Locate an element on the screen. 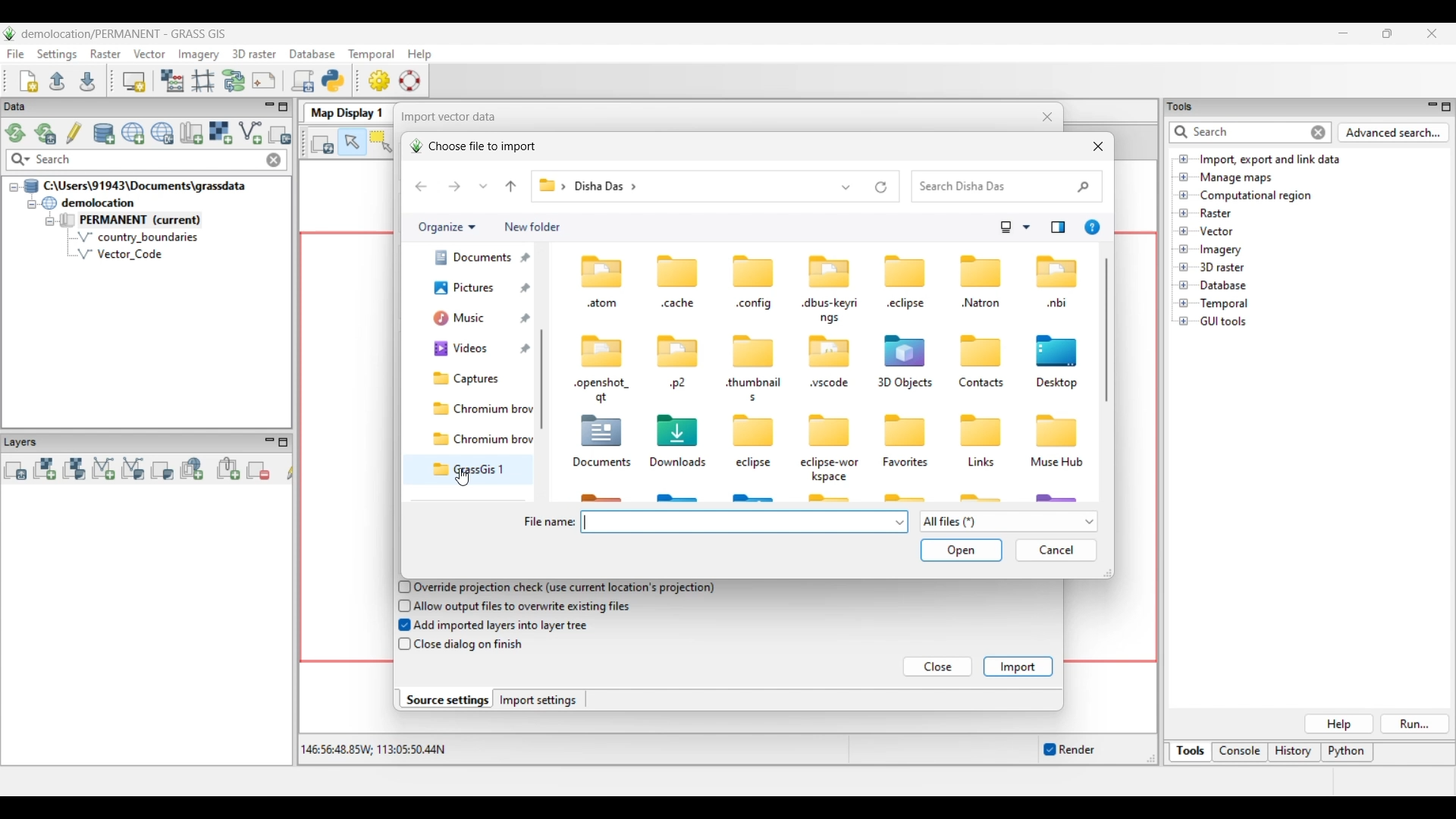 This screenshot has height=819, width=1456. icon is located at coordinates (905, 271).